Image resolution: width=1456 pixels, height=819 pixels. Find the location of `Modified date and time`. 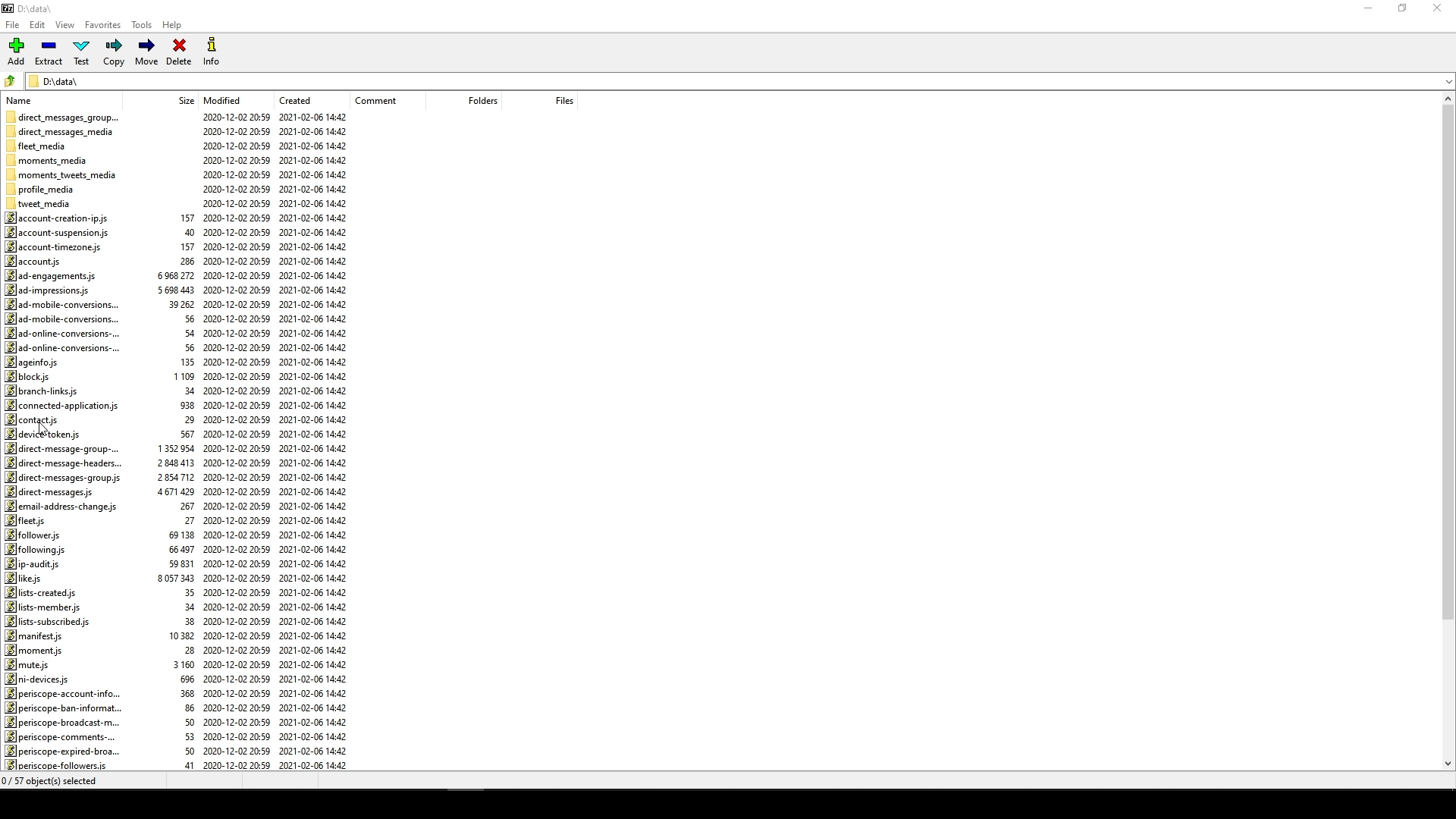

Modified date and time is located at coordinates (236, 441).